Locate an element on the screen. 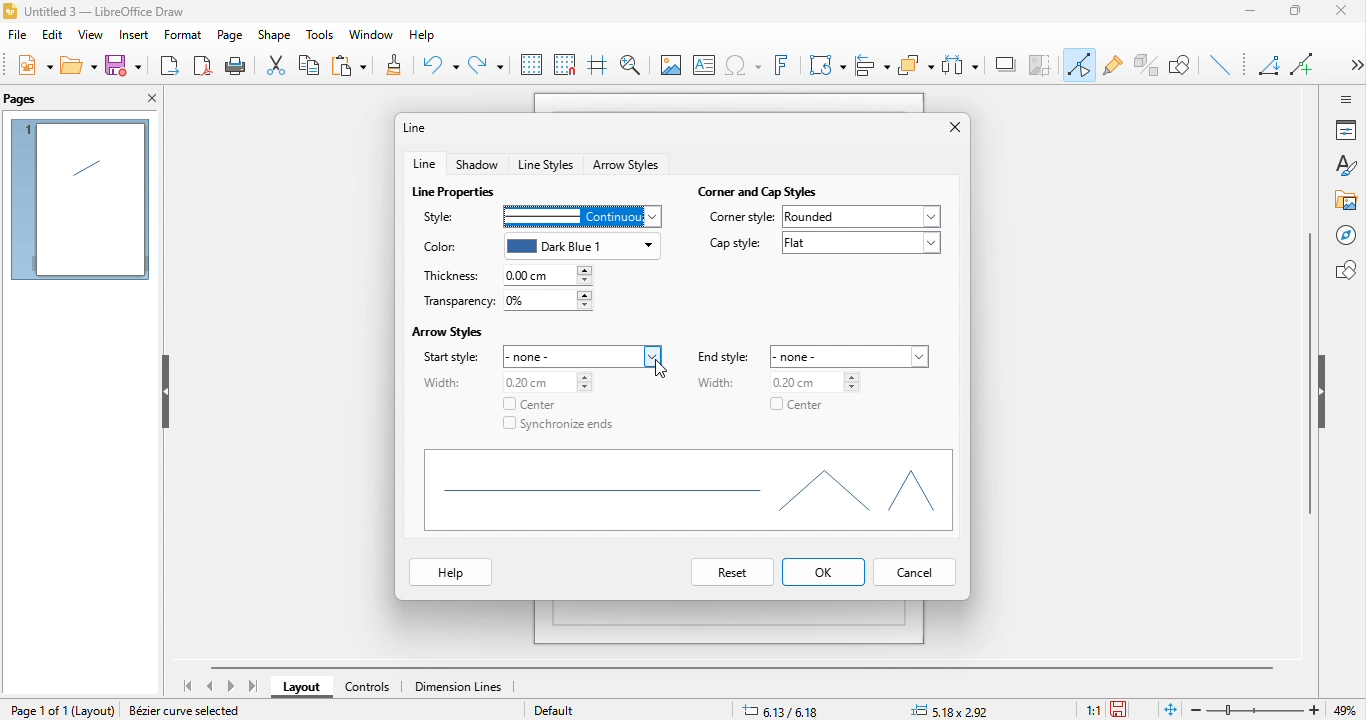 The image size is (1366, 720). sidebar setting is located at coordinates (1346, 98).